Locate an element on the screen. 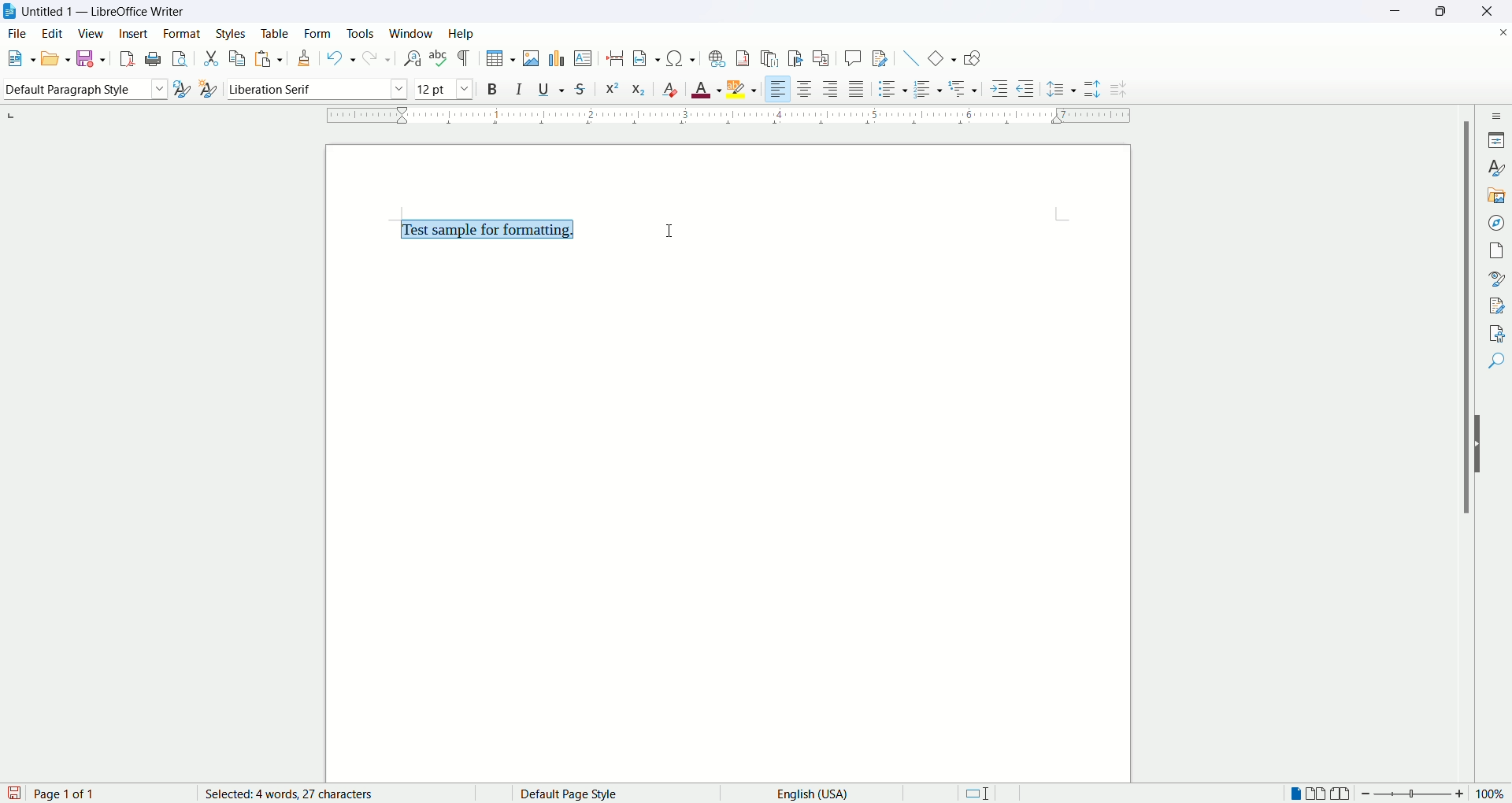  subscript is located at coordinates (639, 88).